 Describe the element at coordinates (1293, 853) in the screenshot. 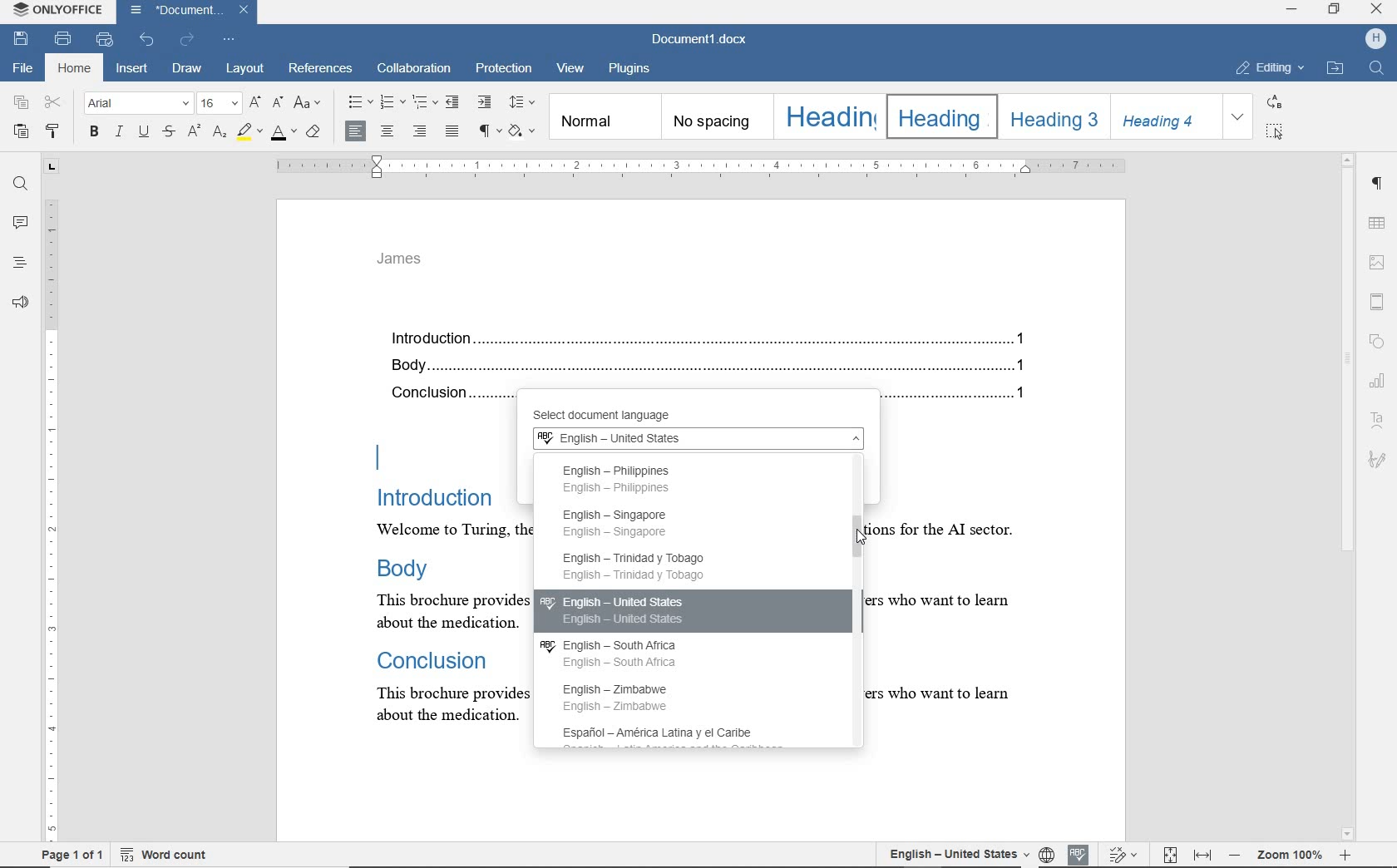

I see `zoom out or zoom in` at that location.